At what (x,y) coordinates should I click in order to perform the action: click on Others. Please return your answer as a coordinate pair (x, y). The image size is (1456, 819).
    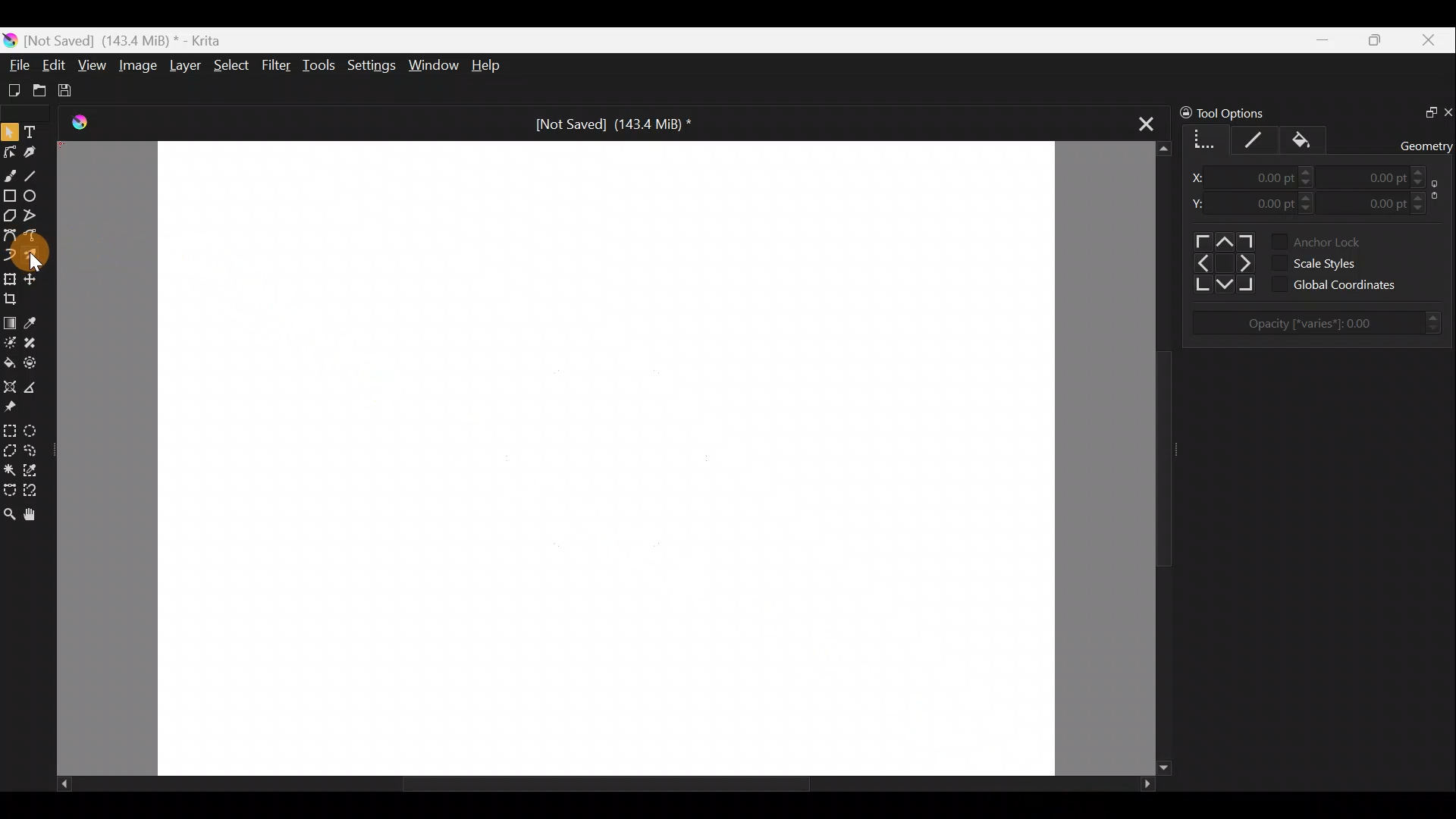
    Looking at the image, I should click on (1221, 262).